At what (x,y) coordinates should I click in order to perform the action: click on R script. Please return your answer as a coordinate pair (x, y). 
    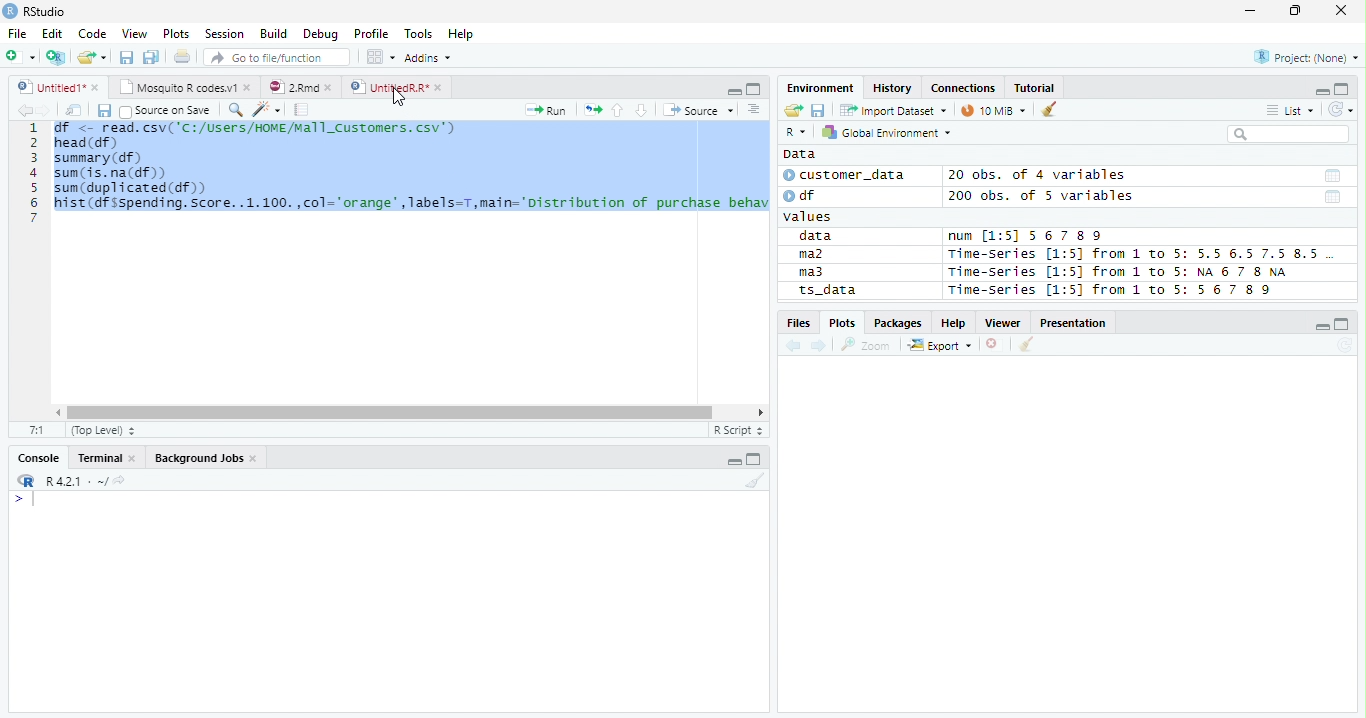
    Looking at the image, I should click on (737, 430).